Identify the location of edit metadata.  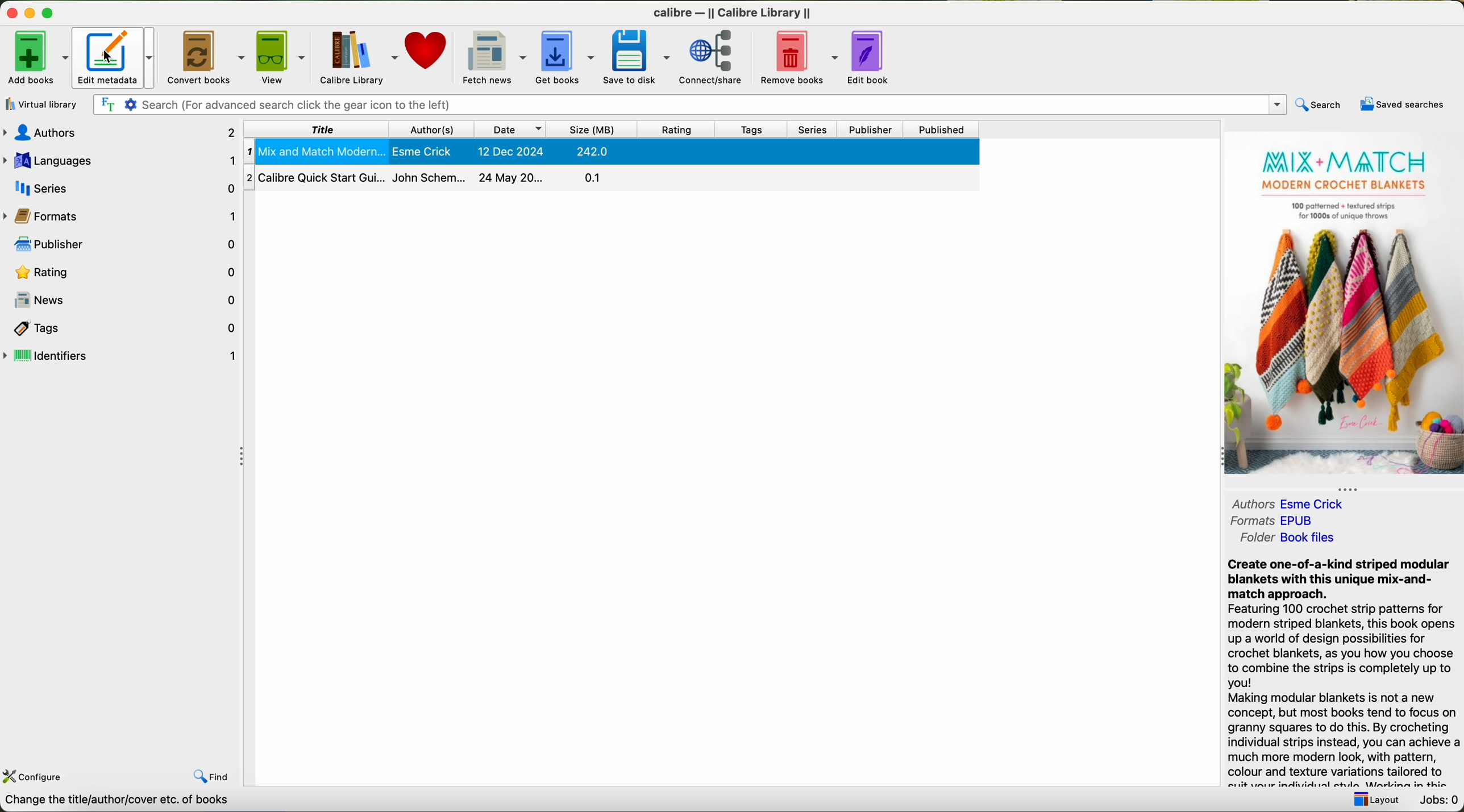
(116, 57).